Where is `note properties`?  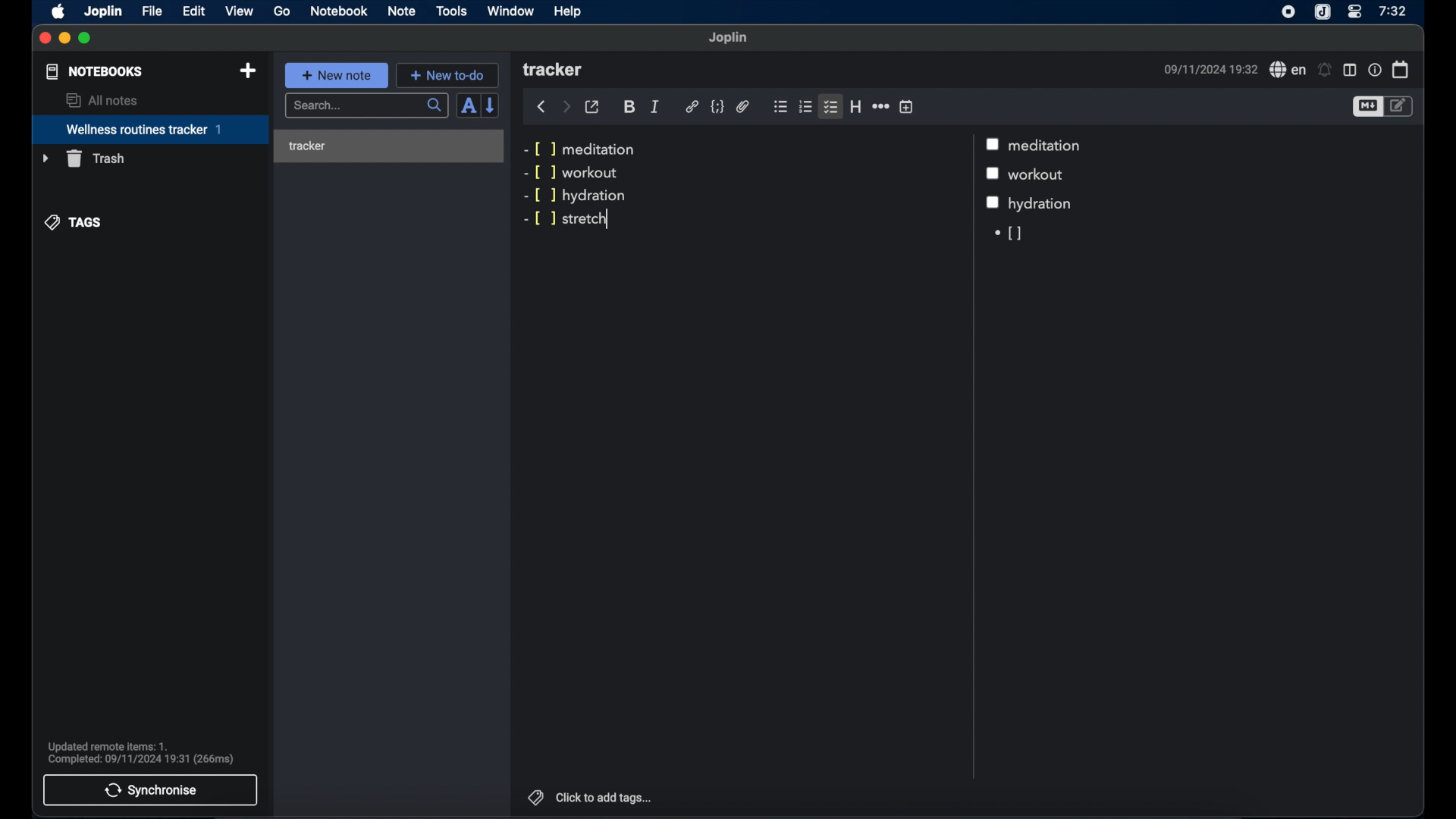
note properties is located at coordinates (1374, 69).